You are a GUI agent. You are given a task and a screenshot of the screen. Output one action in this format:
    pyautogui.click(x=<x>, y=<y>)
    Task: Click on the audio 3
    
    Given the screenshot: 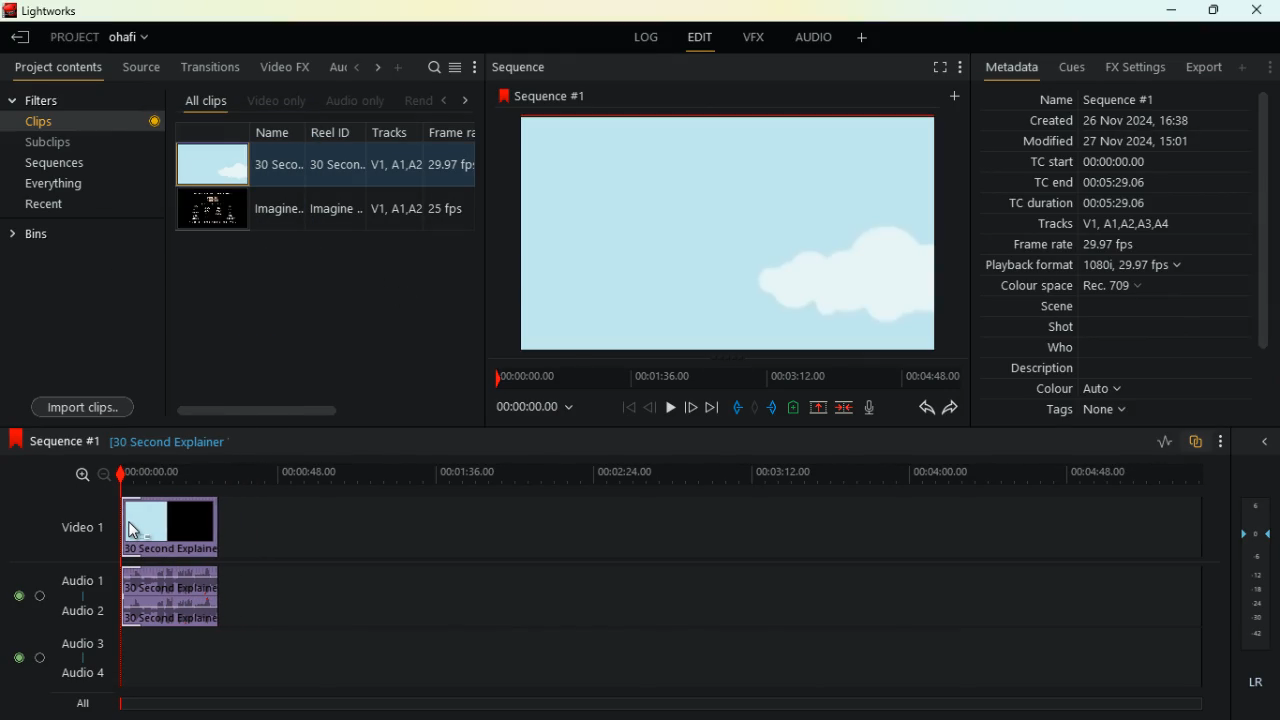 What is the action you would take?
    pyautogui.click(x=81, y=643)
    